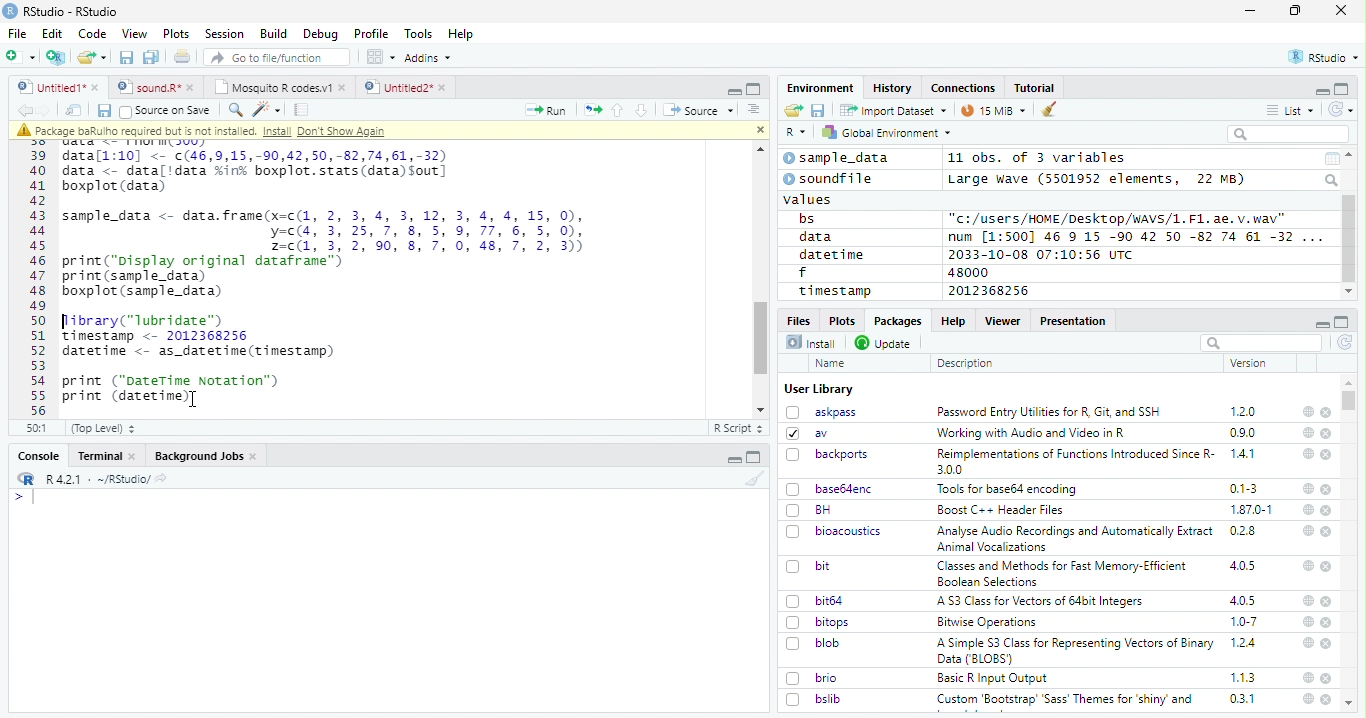  Describe the element at coordinates (461, 35) in the screenshot. I see `Help` at that location.